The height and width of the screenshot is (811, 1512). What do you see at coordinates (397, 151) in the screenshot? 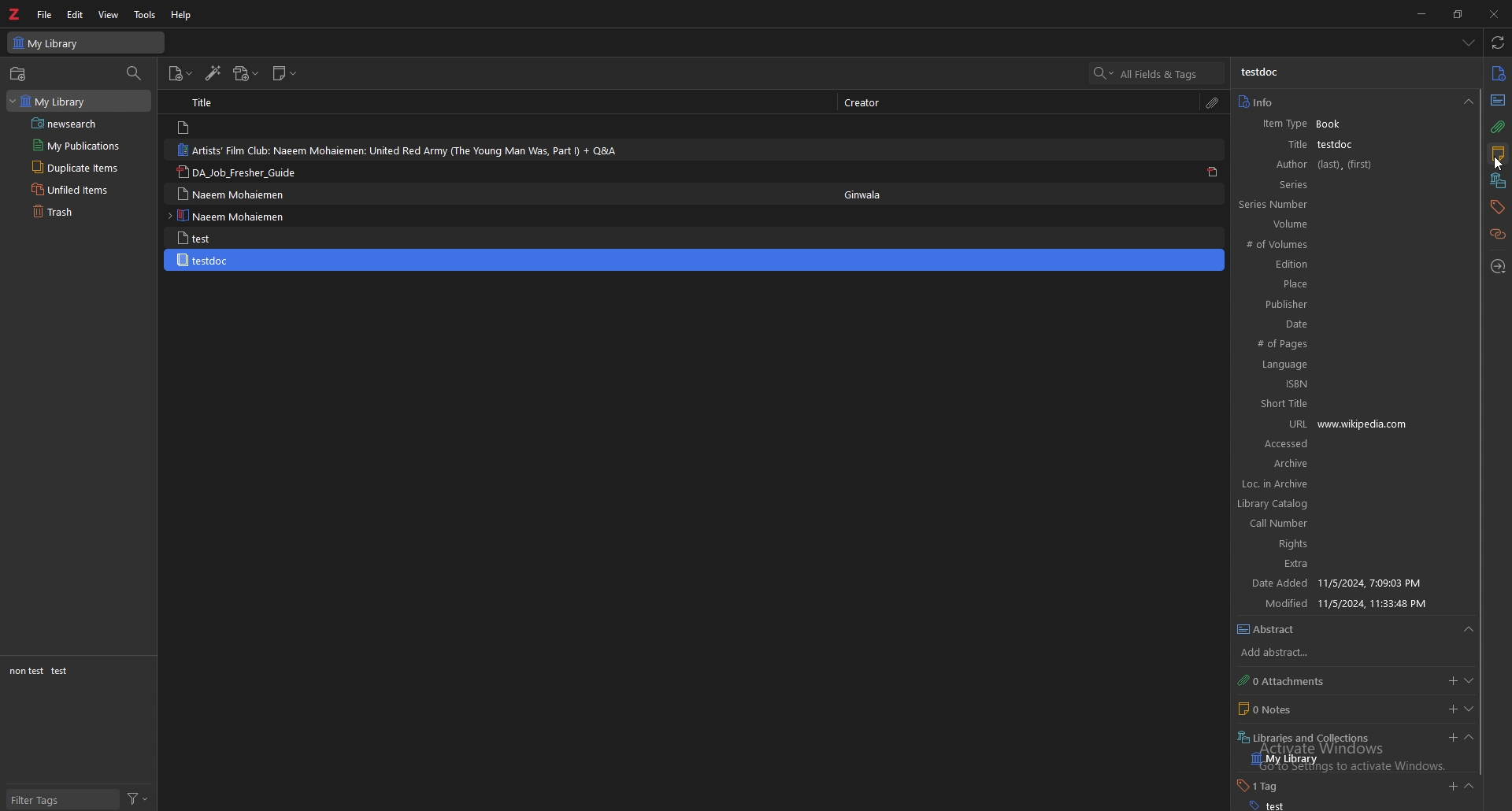
I see `artists' film club: naeem mohaiemen: united red army (the young man was, part I) + q&a` at bounding box center [397, 151].